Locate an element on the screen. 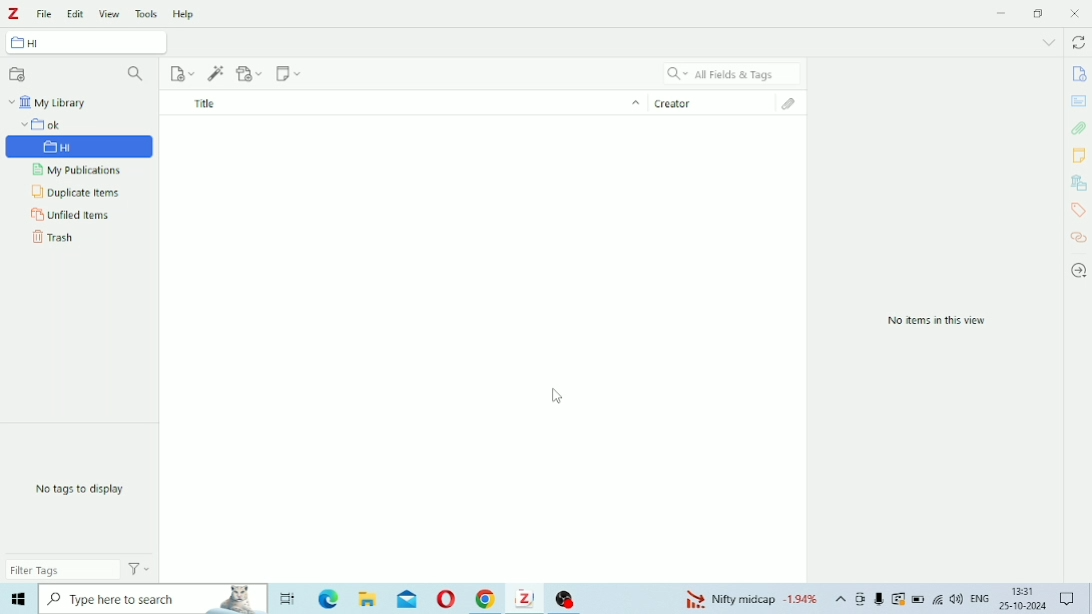 This screenshot has height=614, width=1092. Notifications is located at coordinates (1067, 596).